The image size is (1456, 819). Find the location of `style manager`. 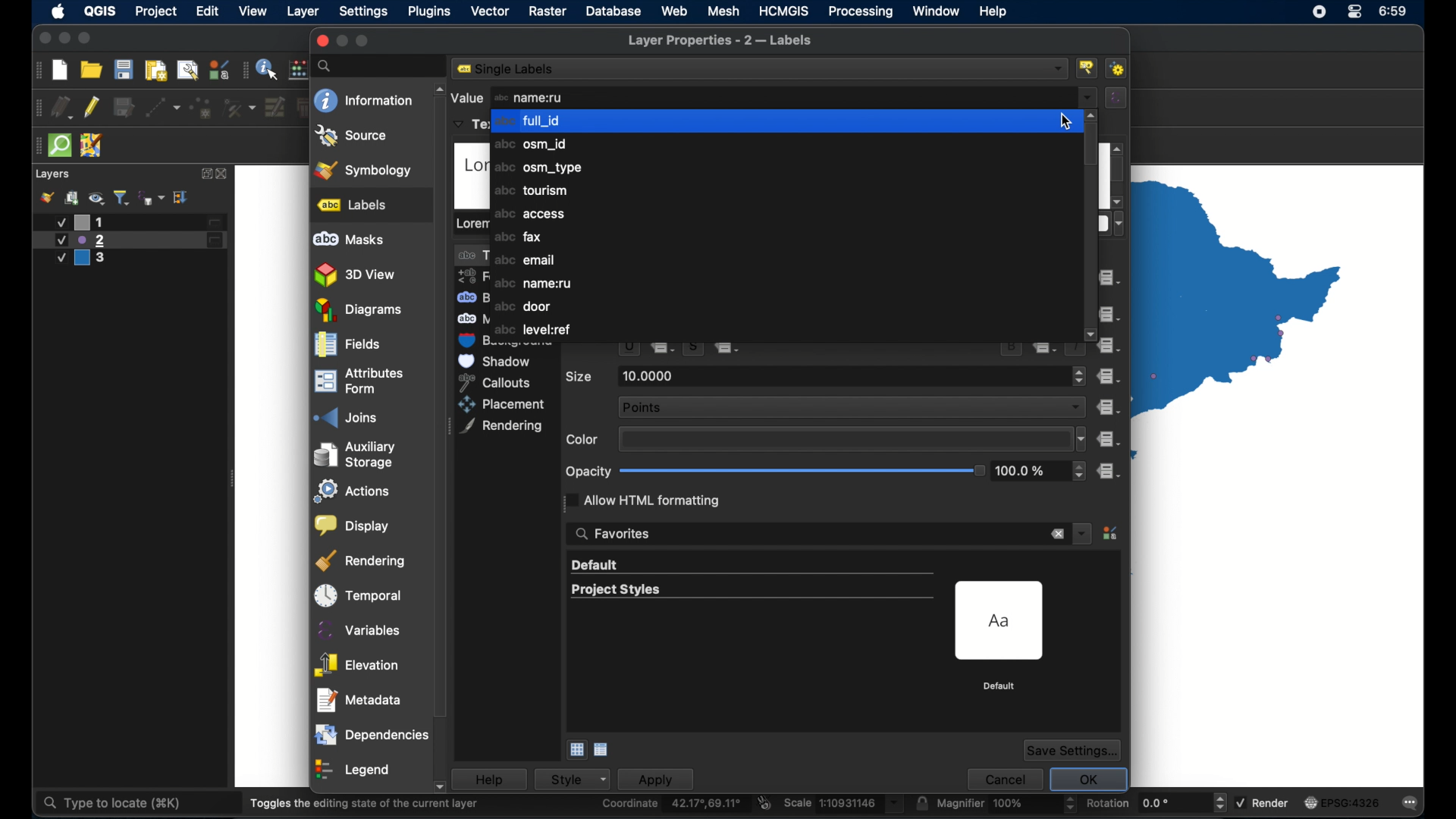

style manager is located at coordinates (1112, 535).